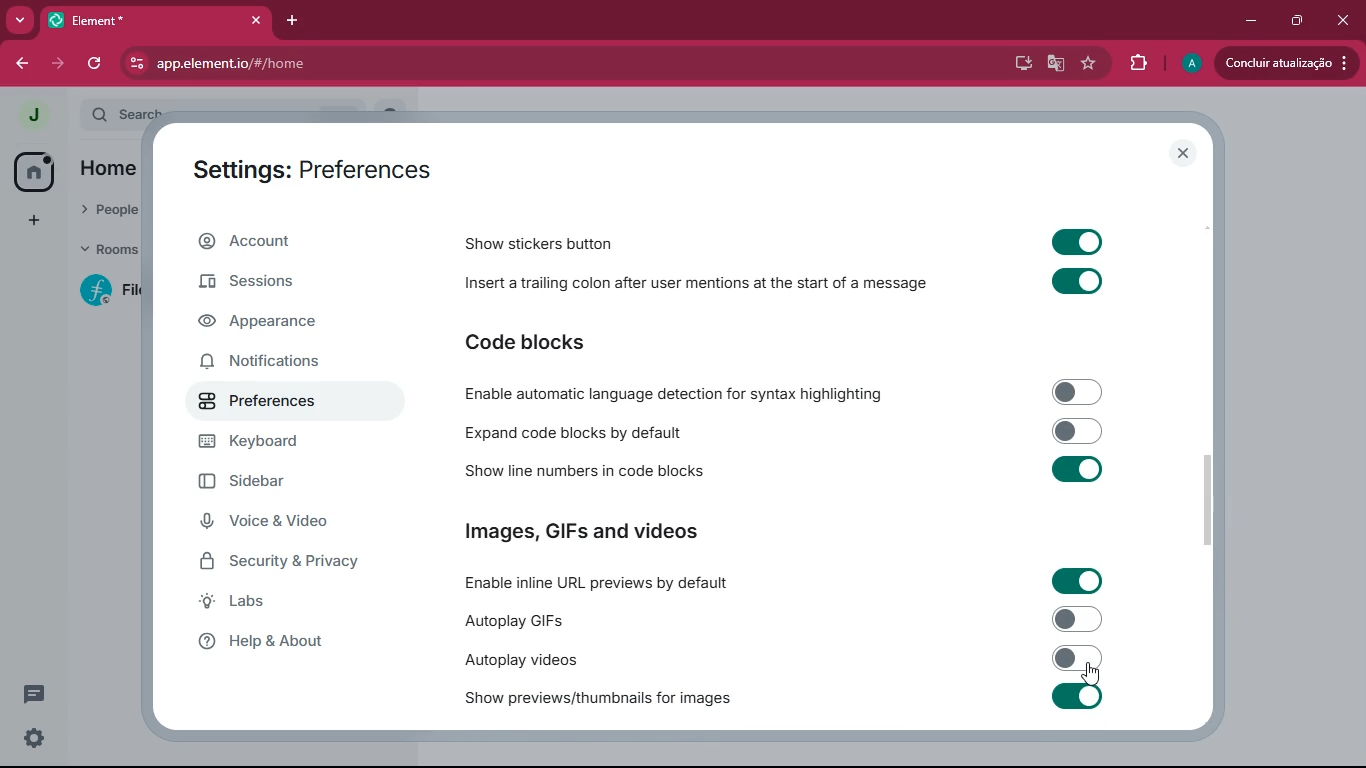 Image resolution: width=1366 pixels, height=768 pixels. I want to click on automatic, so click(680, 393).